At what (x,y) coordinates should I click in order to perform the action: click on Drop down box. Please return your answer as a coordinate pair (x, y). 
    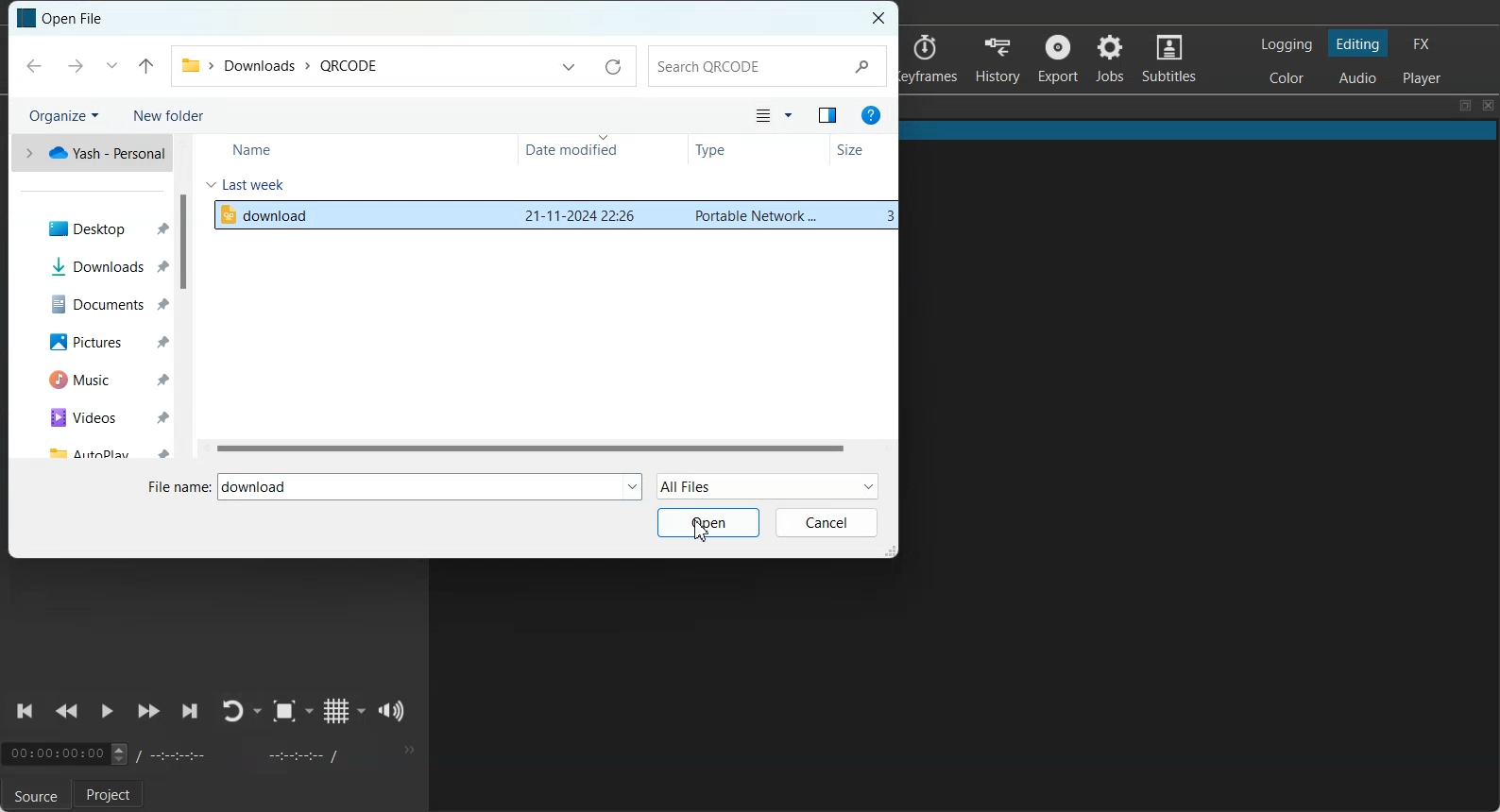
    Looking at the image, I should click on (310, 711).